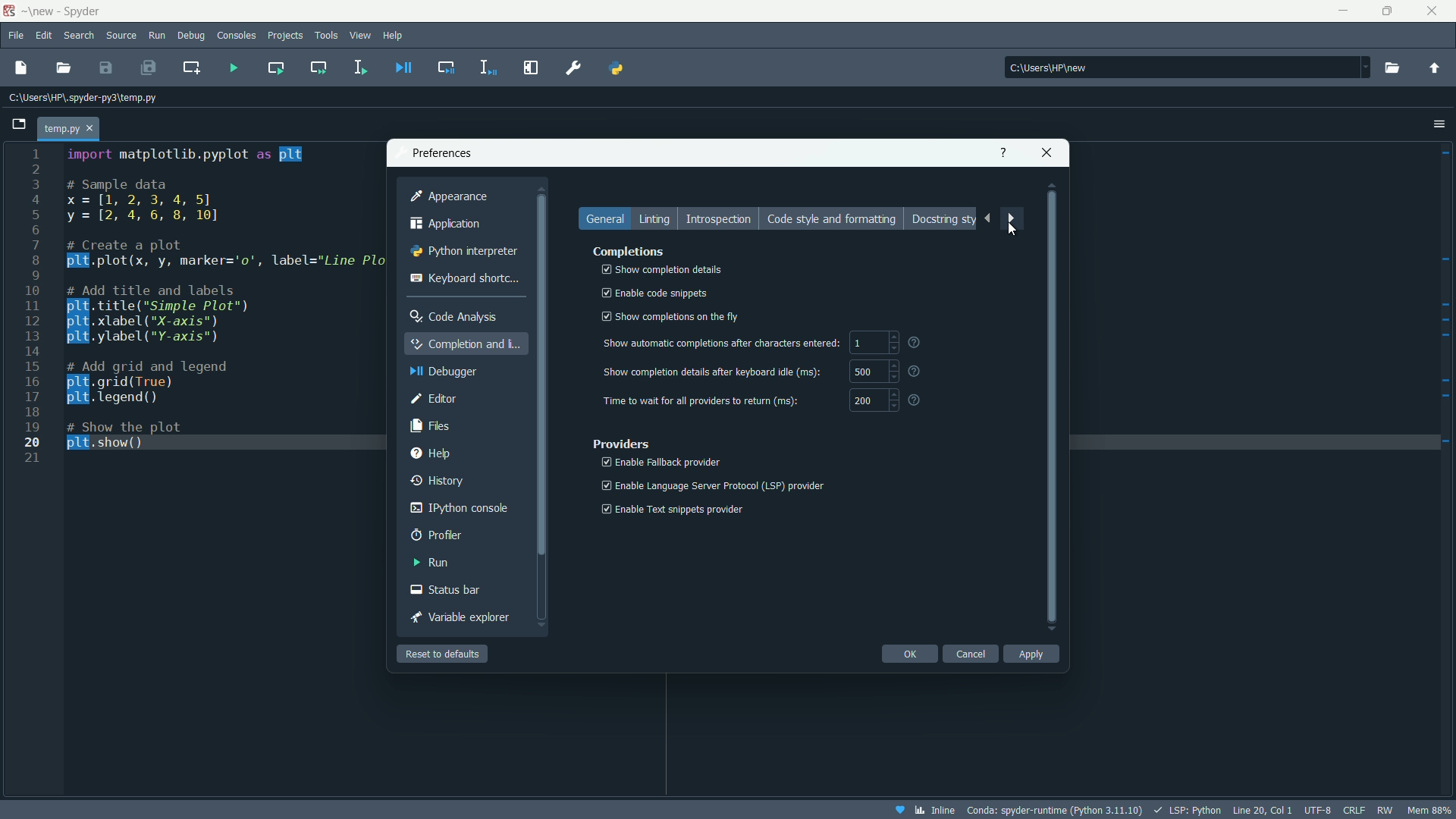 Image resolution: width=1456 pixels, height=819 pixels. I want to click on time to wait for ai providers to return, so click(704, 401).